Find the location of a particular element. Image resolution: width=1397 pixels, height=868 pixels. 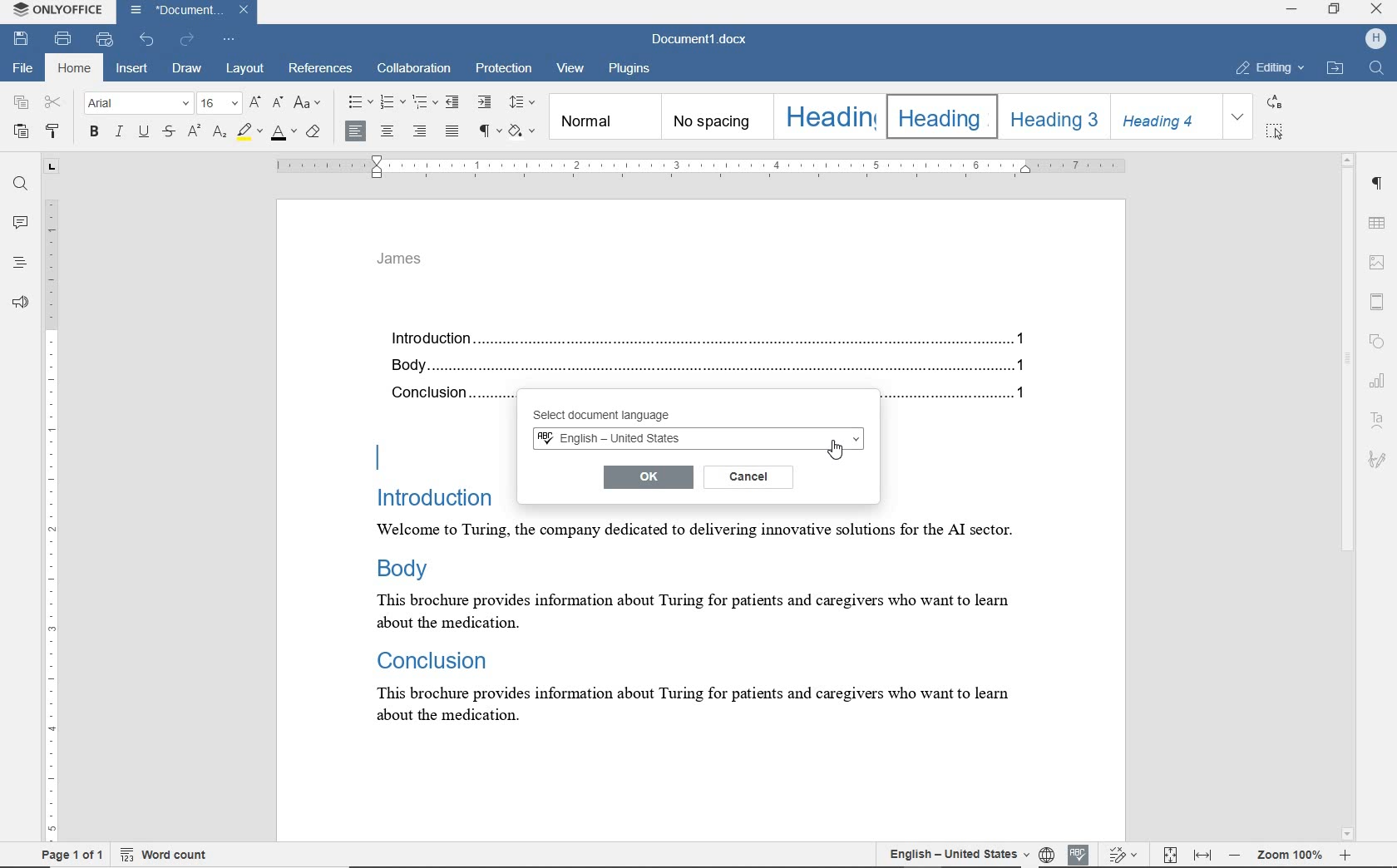

find is located at coordinates (20, 185).